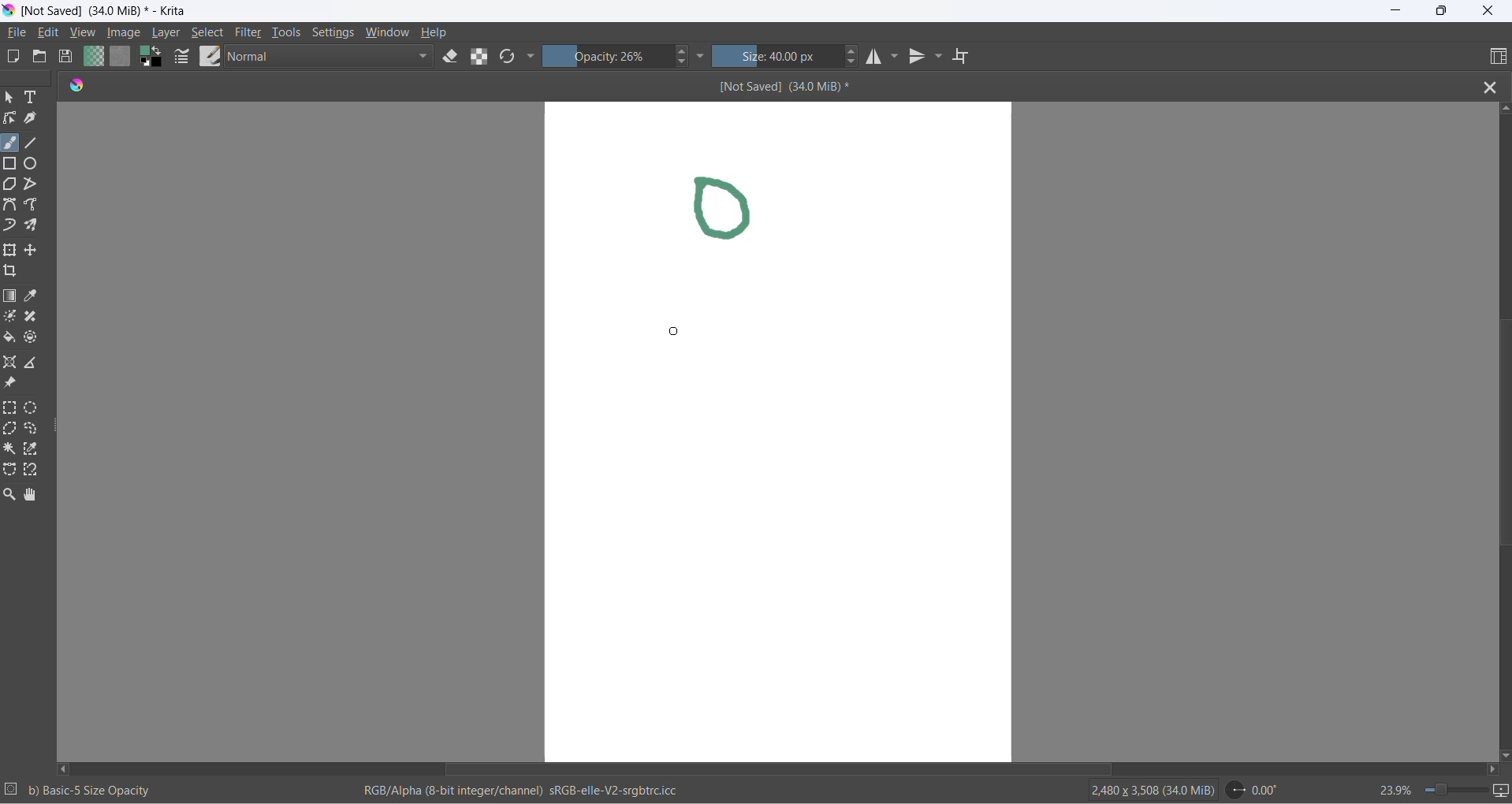 Image resolution: width=1512 pixels, height=804 pixels. Describe the element at coordinates (524, 792) in the screenshot. I see `RGB/Alpha (8-bit integer/channel) sRGb-elle-V2-srgbtrc.icc` at that location.